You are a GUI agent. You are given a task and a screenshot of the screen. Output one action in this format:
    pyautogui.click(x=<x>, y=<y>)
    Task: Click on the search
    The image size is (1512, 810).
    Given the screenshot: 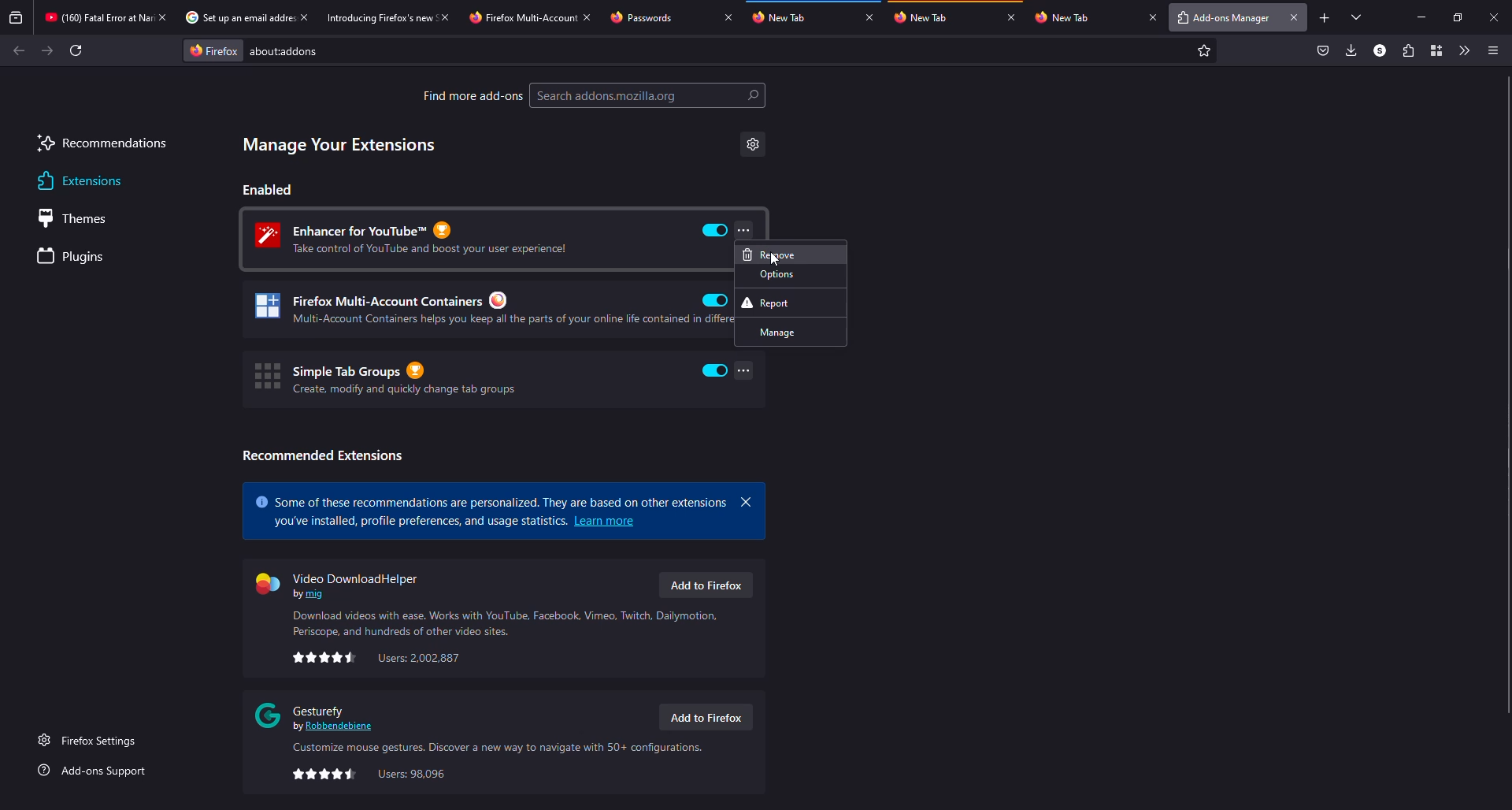 What is the action you would take?
    pyautogui.click(x=648, y=95)
    